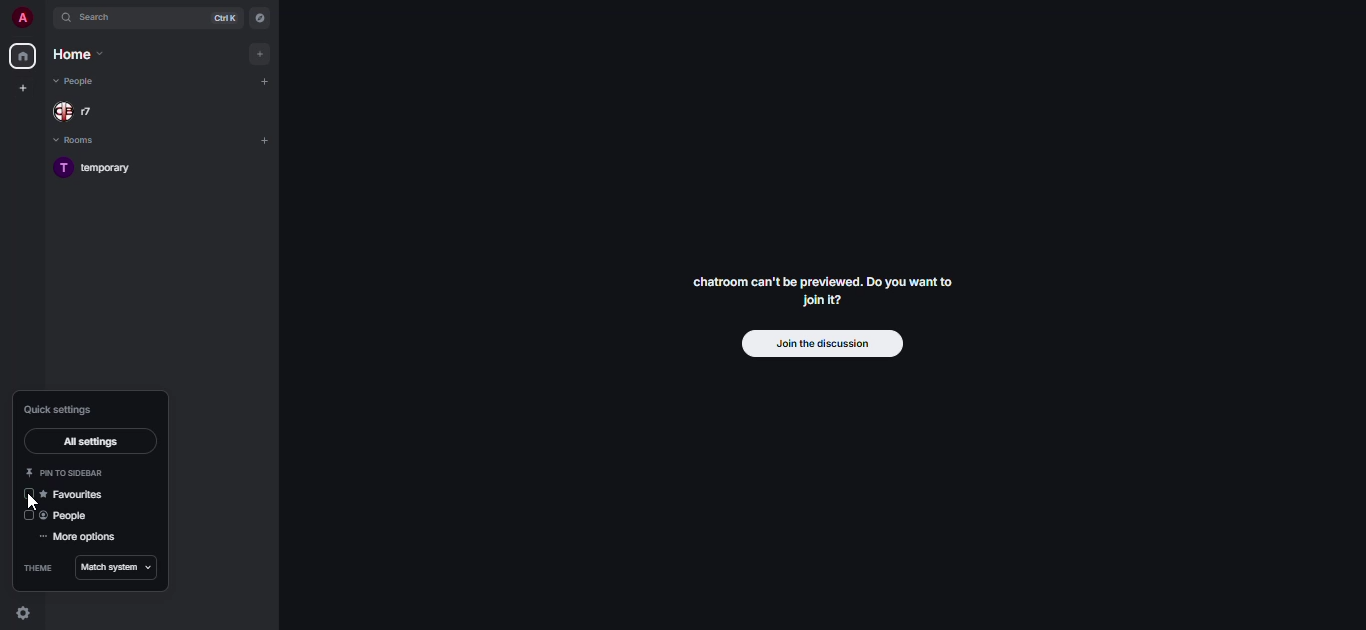 Image resolution: width=1366 pixels, height=630 pixels. What do you see at coordinates (20, 17) in the screenshot?
I see `profile` at bounding box center [20, 17].